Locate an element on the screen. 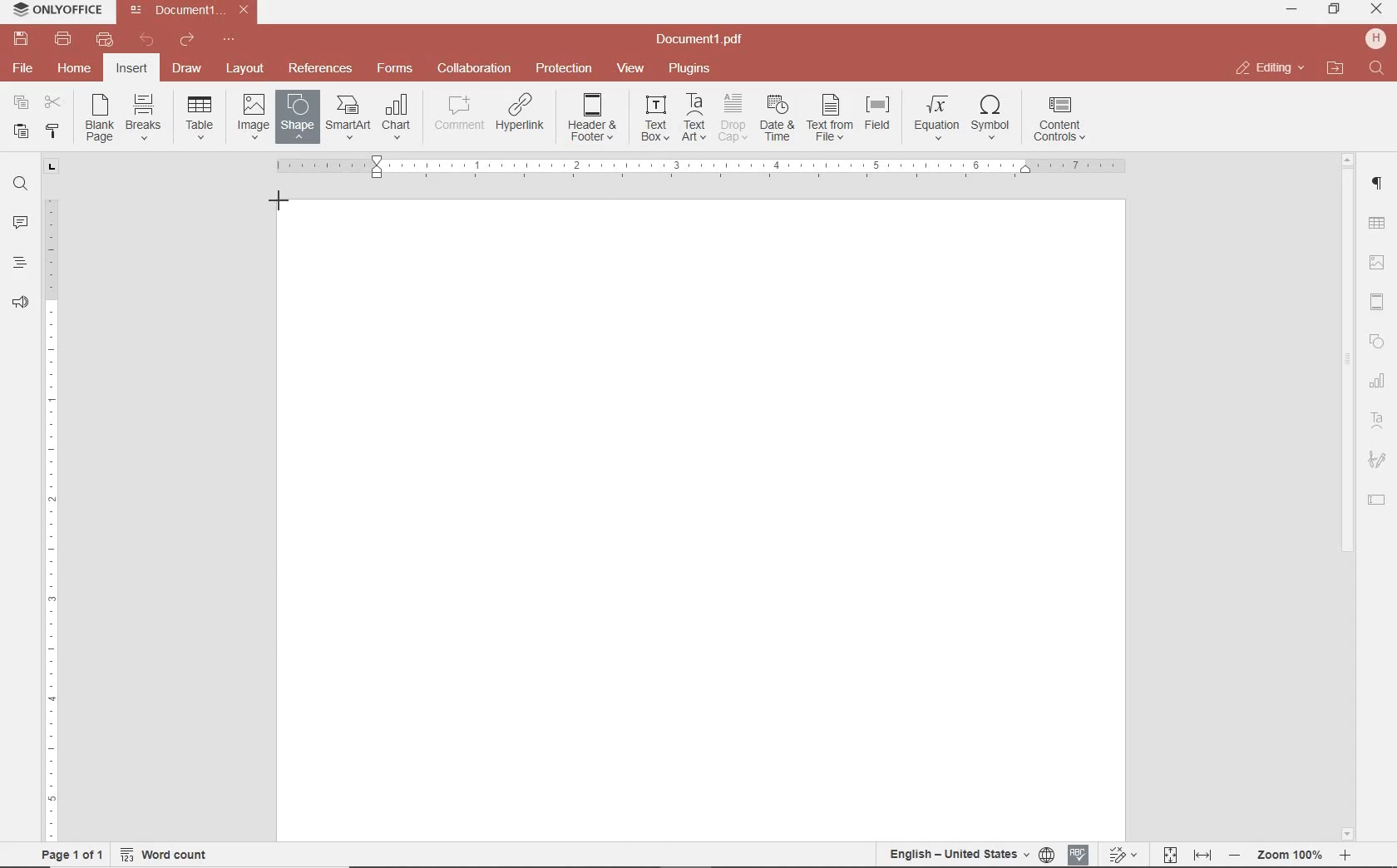 The height and width of the screenshot is (868, 1397). view is located at coordinates (630, 69).